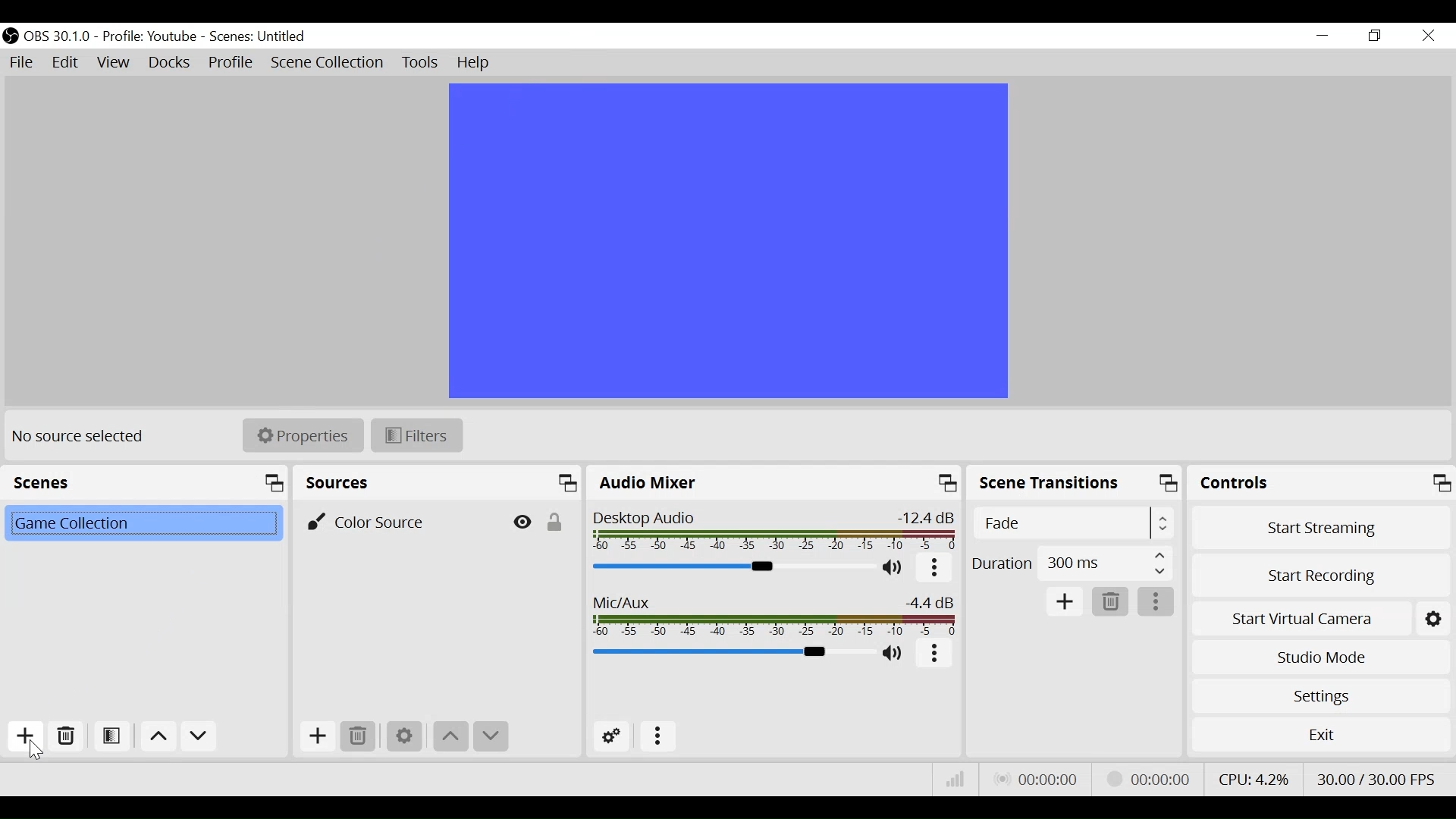 The height and width of the screenshot is (819, 1456). Describe the element at coordinates (1322, 36) in the screenshot. I see `minimize` at that location.